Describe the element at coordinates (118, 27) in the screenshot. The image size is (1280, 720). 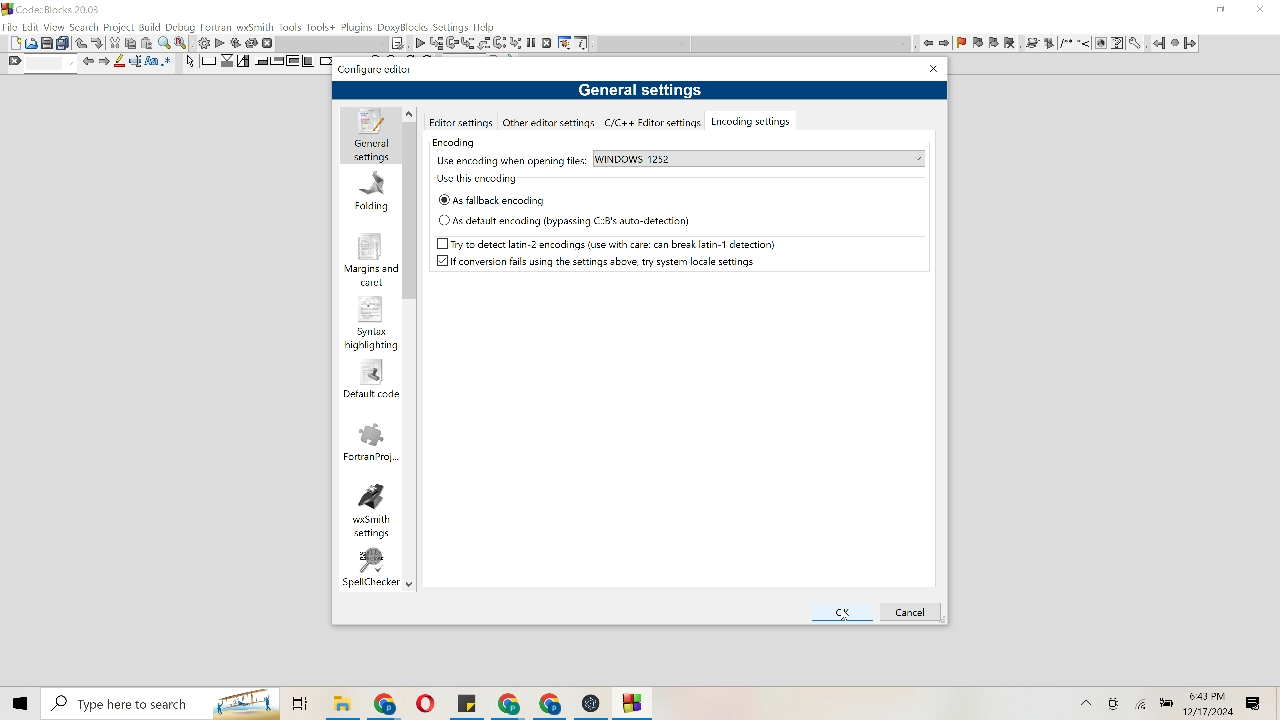
I see `Project` at that location.